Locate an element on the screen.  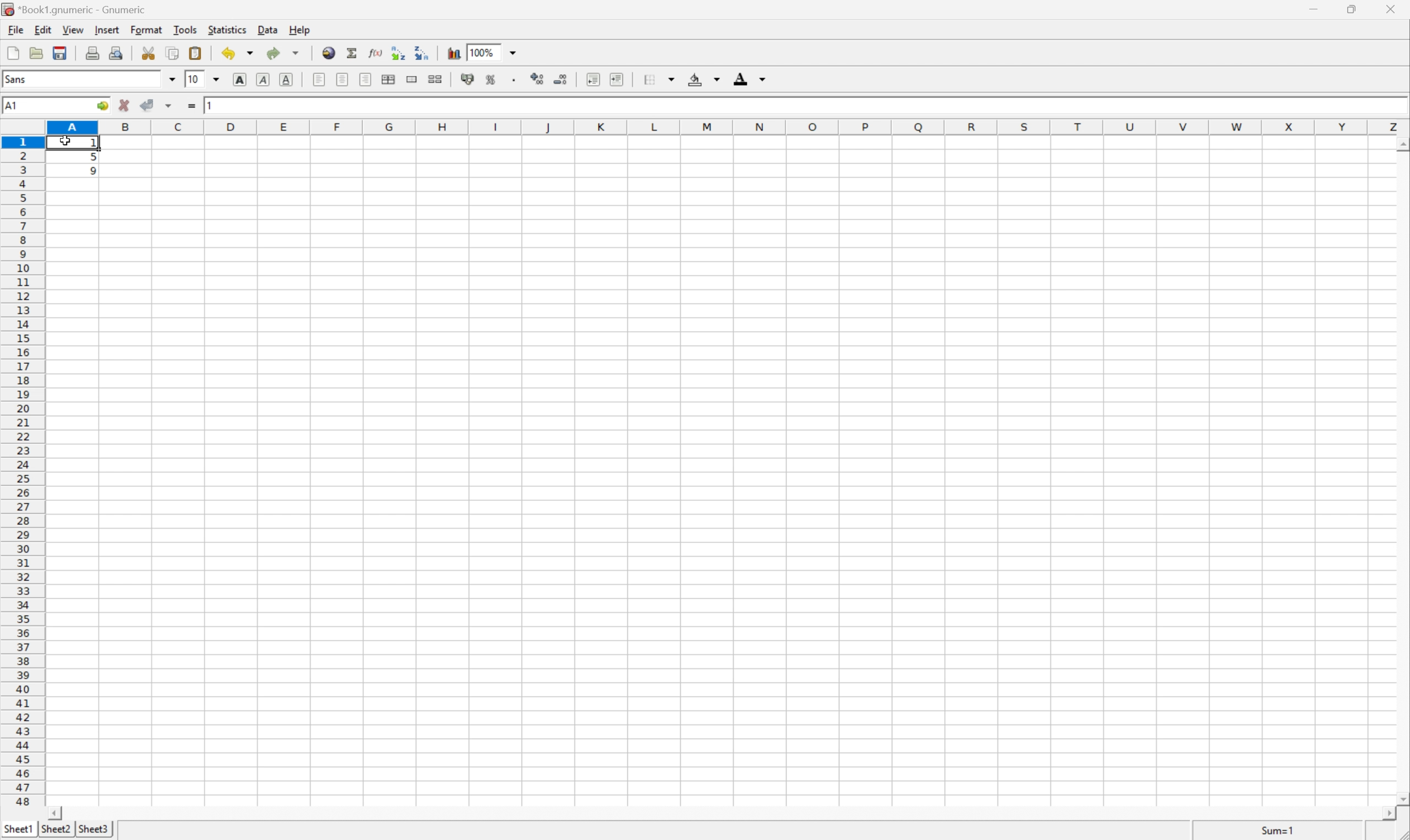
drop down is located at coordinates (220, 79).